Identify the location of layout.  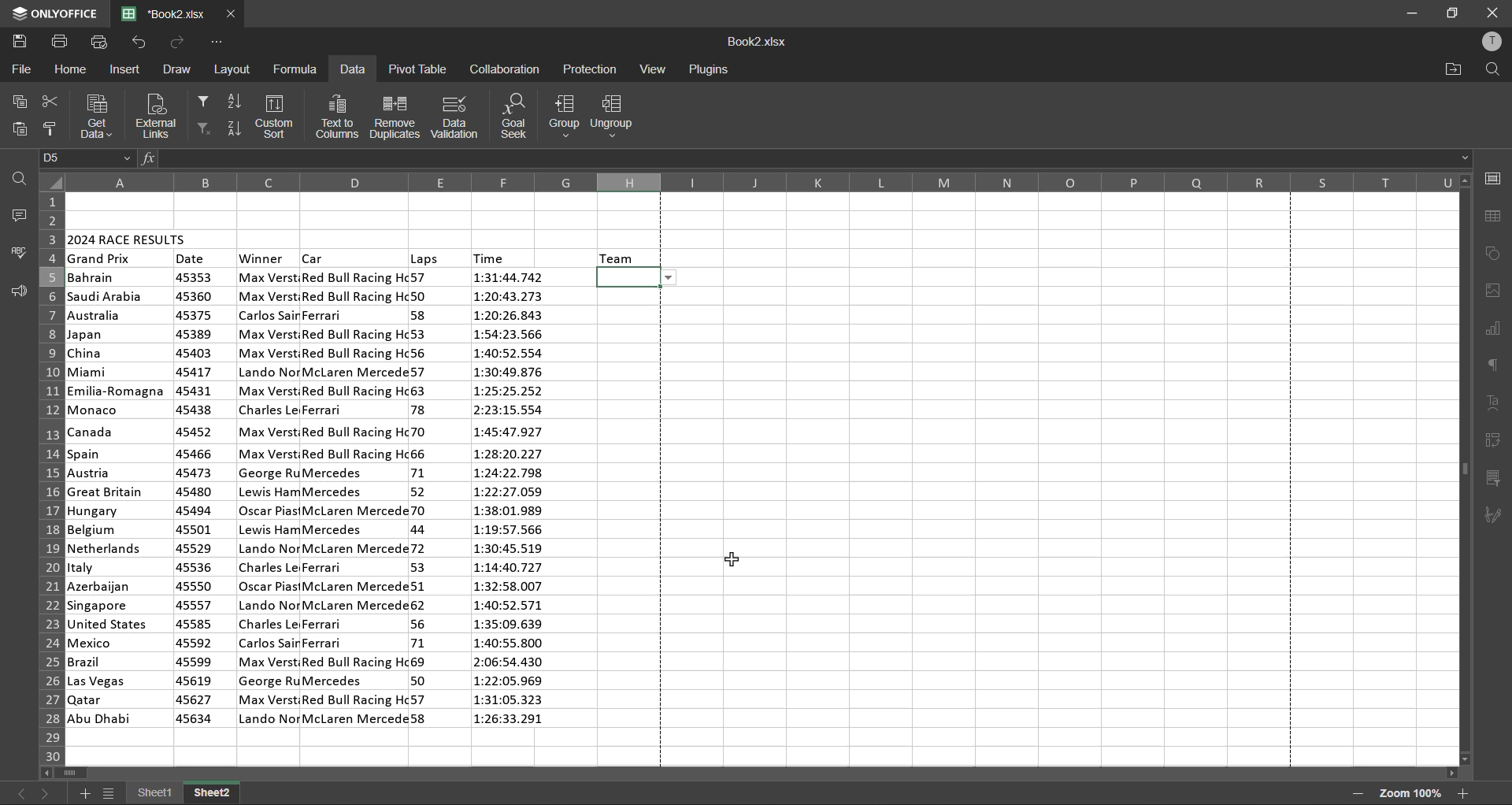
(235, 70).